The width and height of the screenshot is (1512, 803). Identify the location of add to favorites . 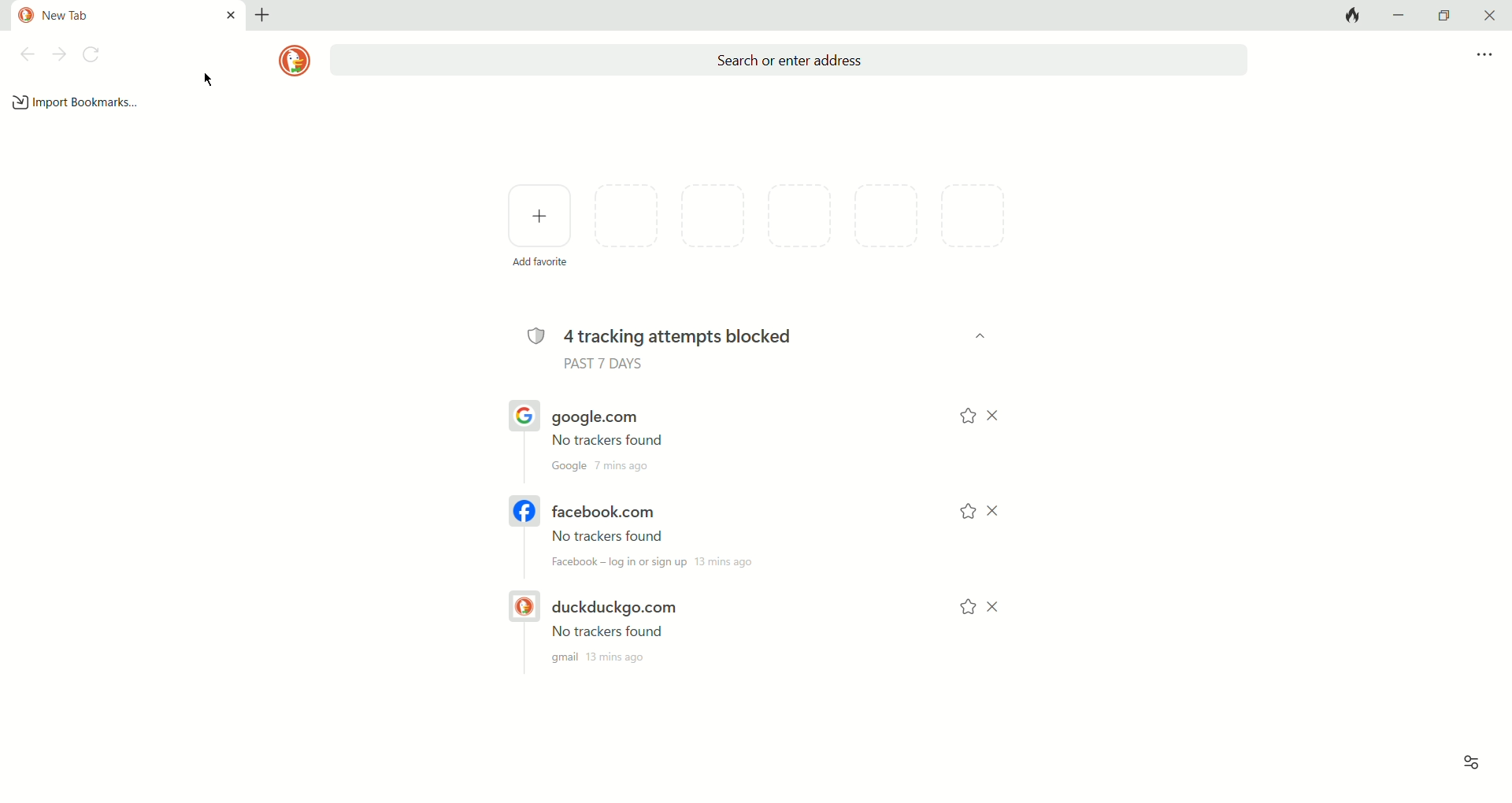
(961, 608).